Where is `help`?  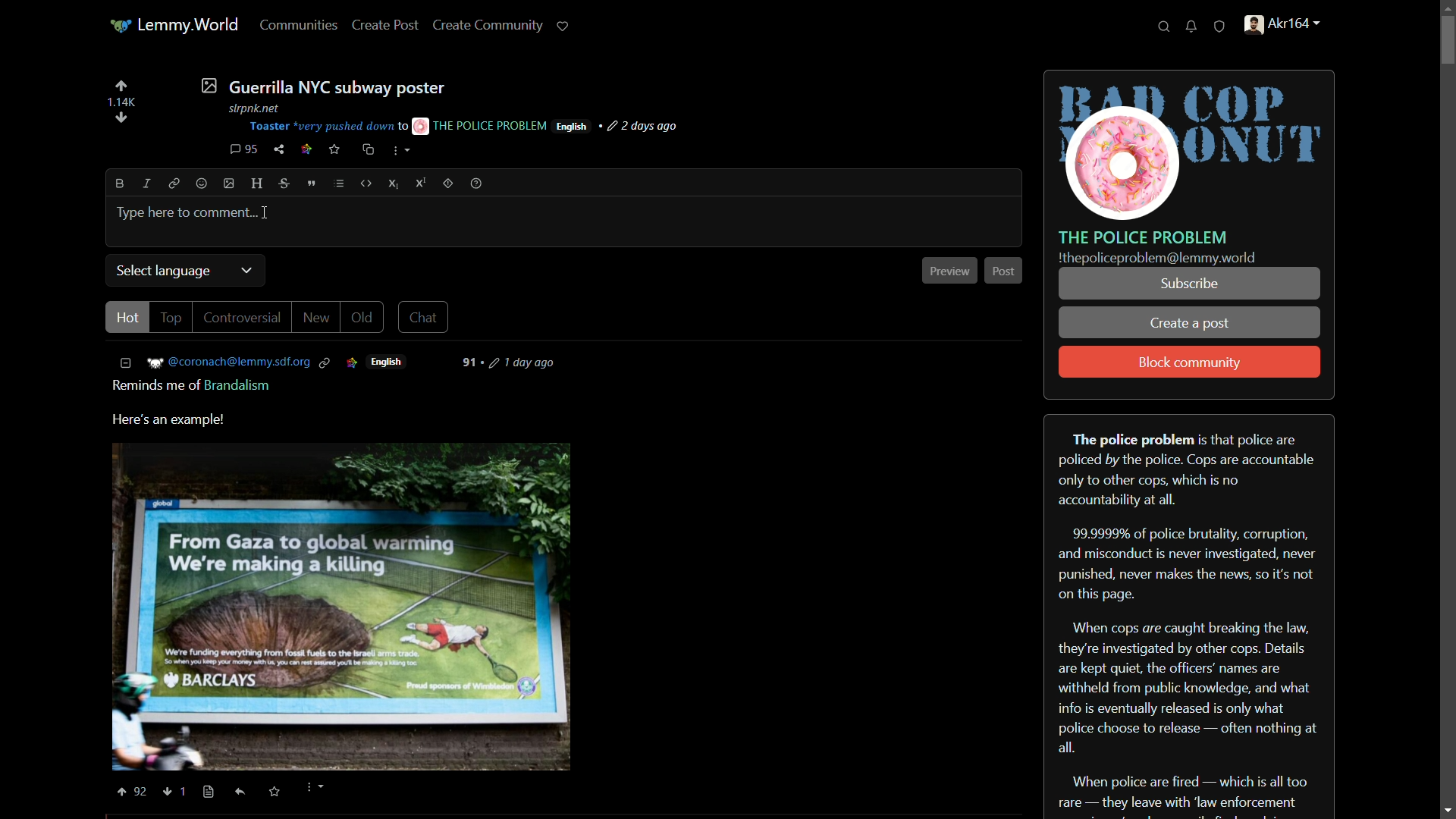
help is located at coordinates (476, 184).